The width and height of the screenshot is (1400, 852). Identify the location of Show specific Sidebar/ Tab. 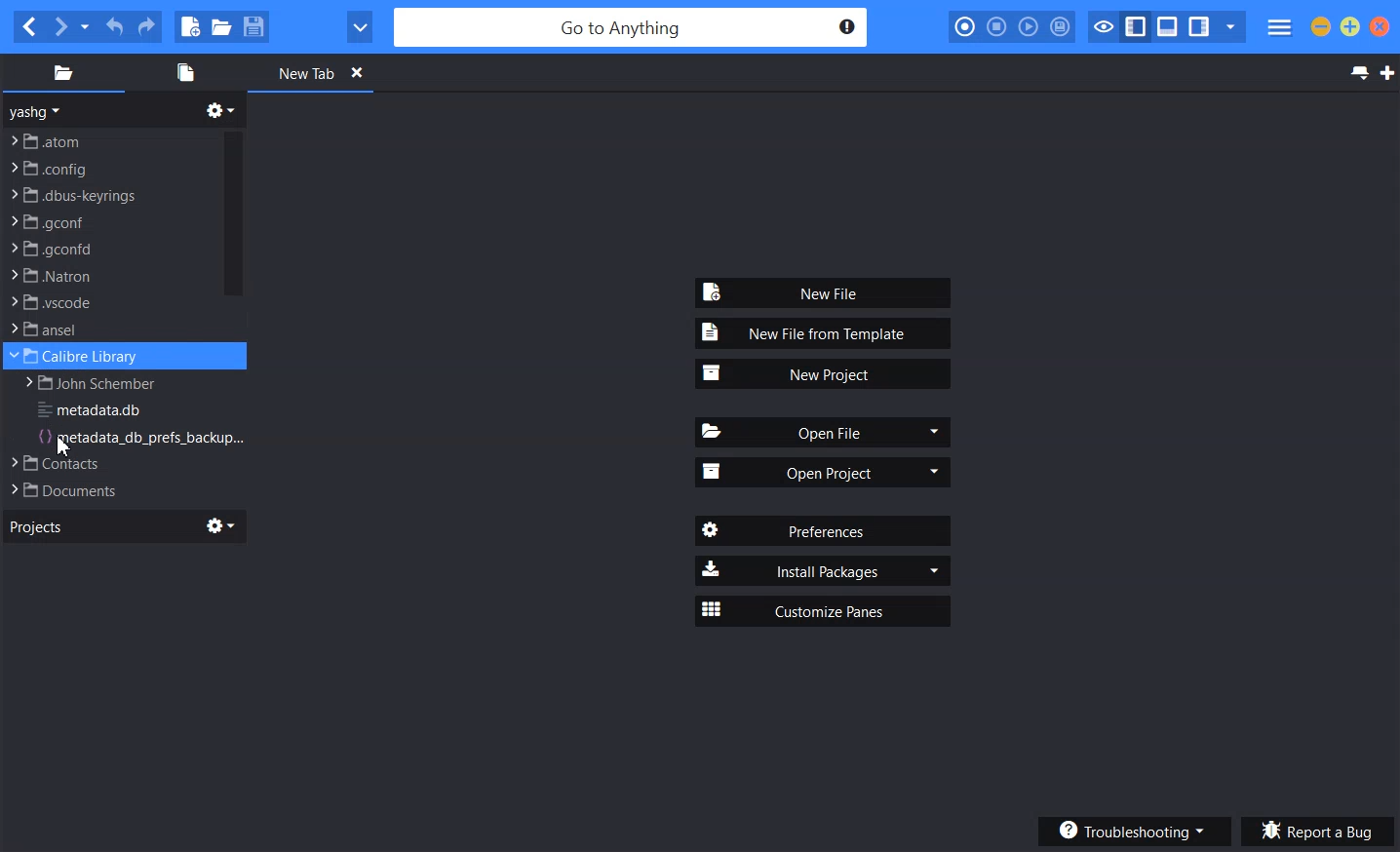
(1230, 27).